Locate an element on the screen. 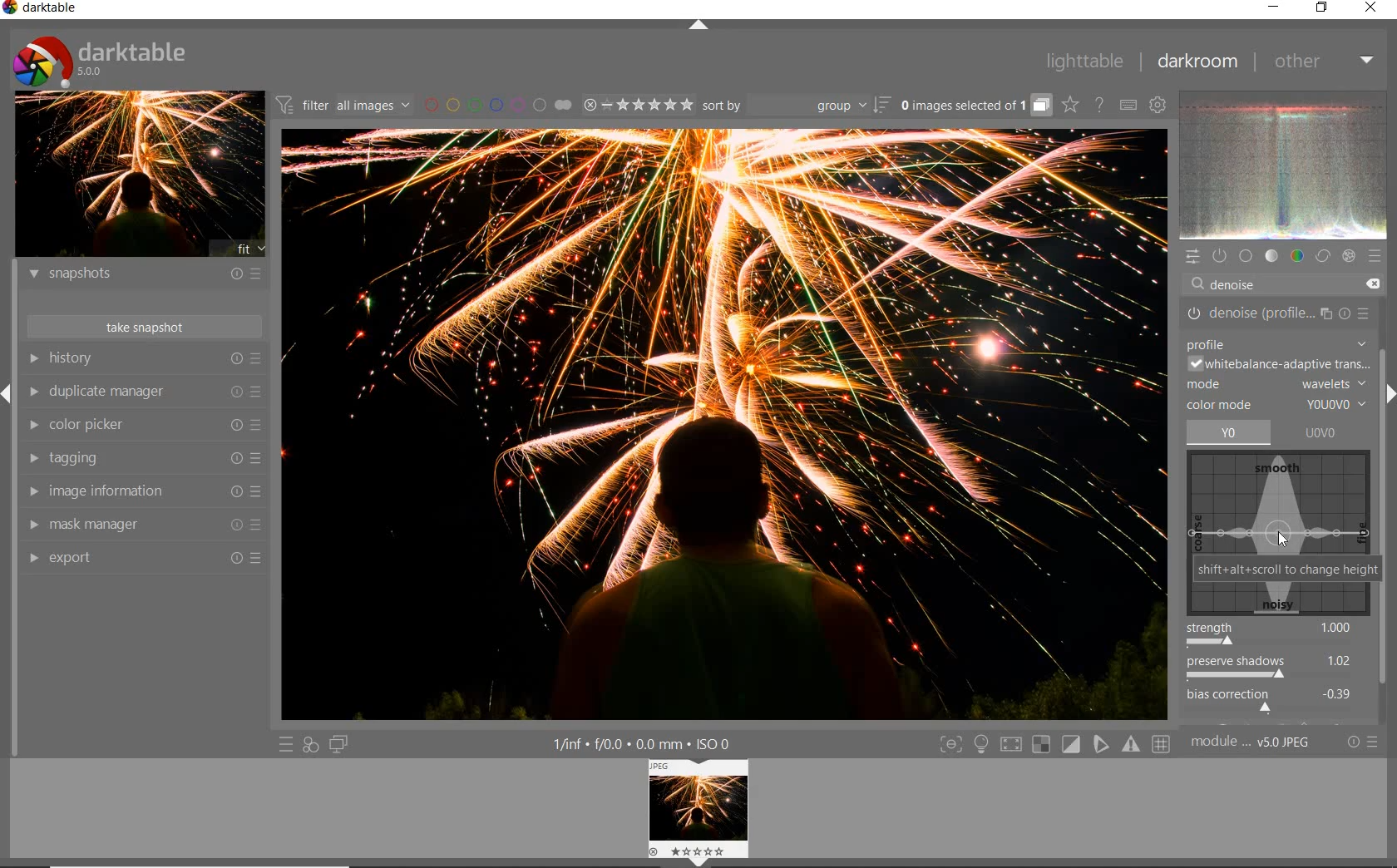 The image size is (1397, 868). base is located at coordinates (1247, 257).